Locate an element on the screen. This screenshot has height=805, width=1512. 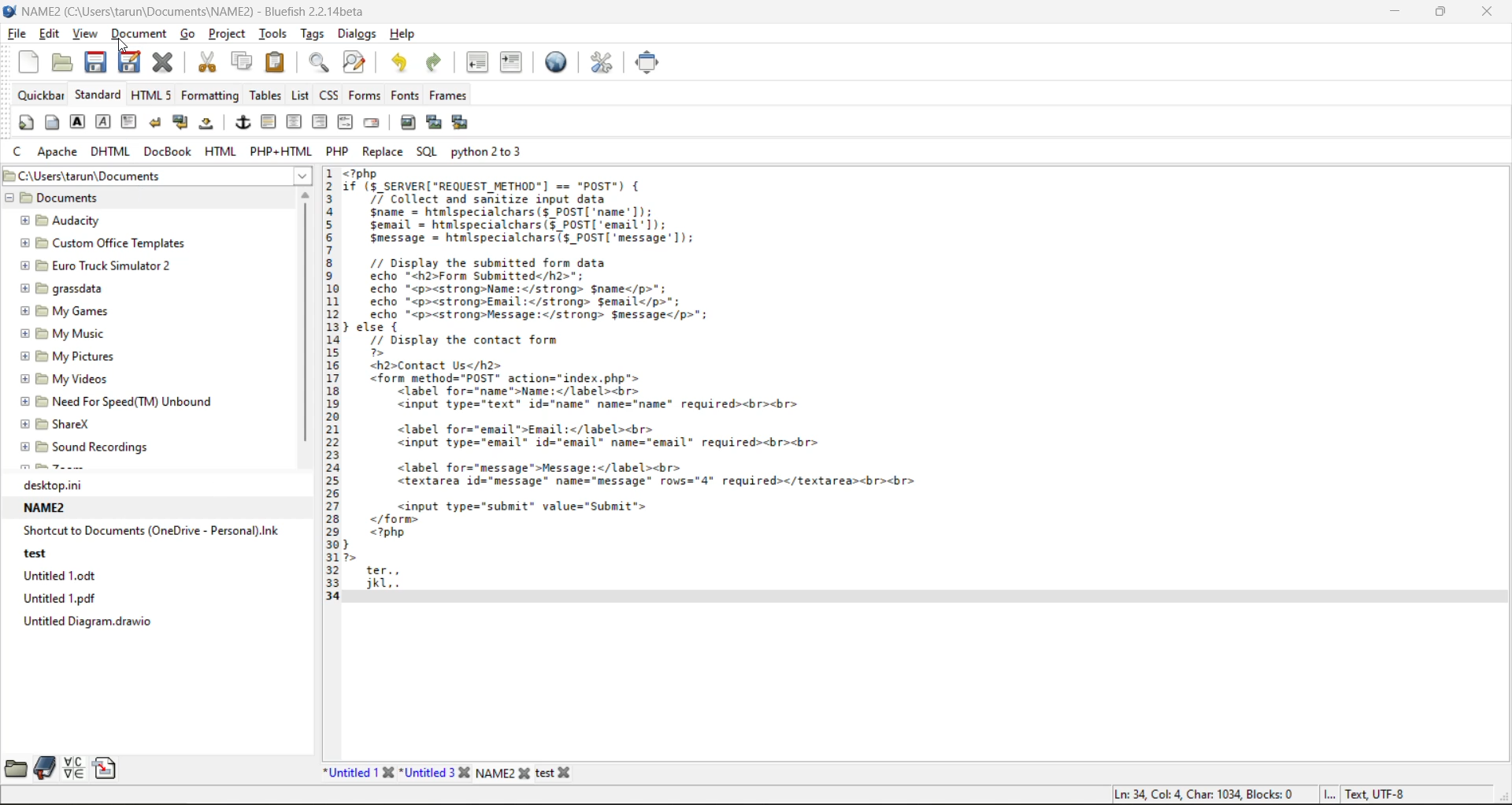
find and replace is located at coordinates (355, 61).